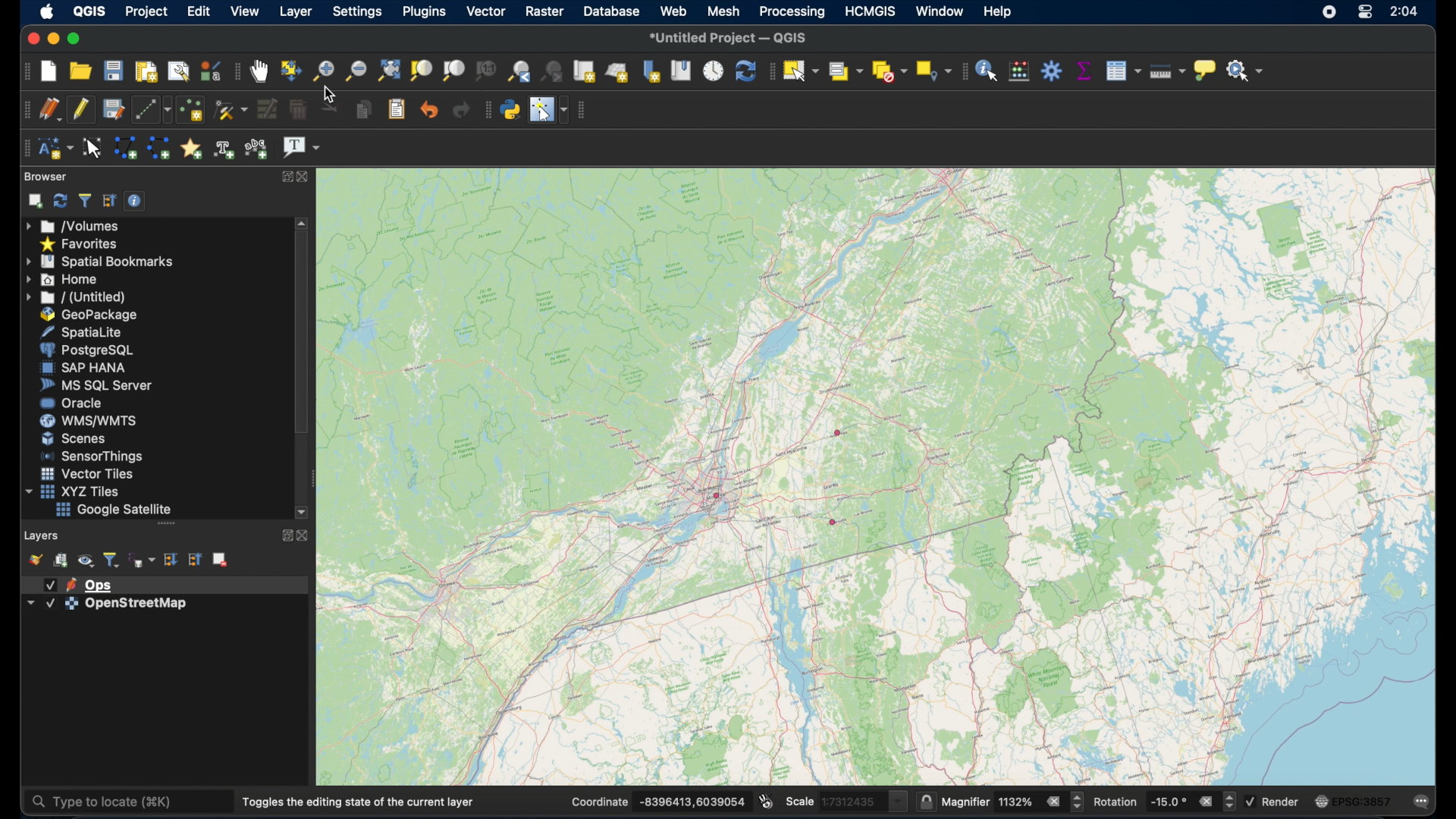  What do you see at coordinates (70, 402) in the screenshot?
I see `oracle` at bounding box center [70, 402].